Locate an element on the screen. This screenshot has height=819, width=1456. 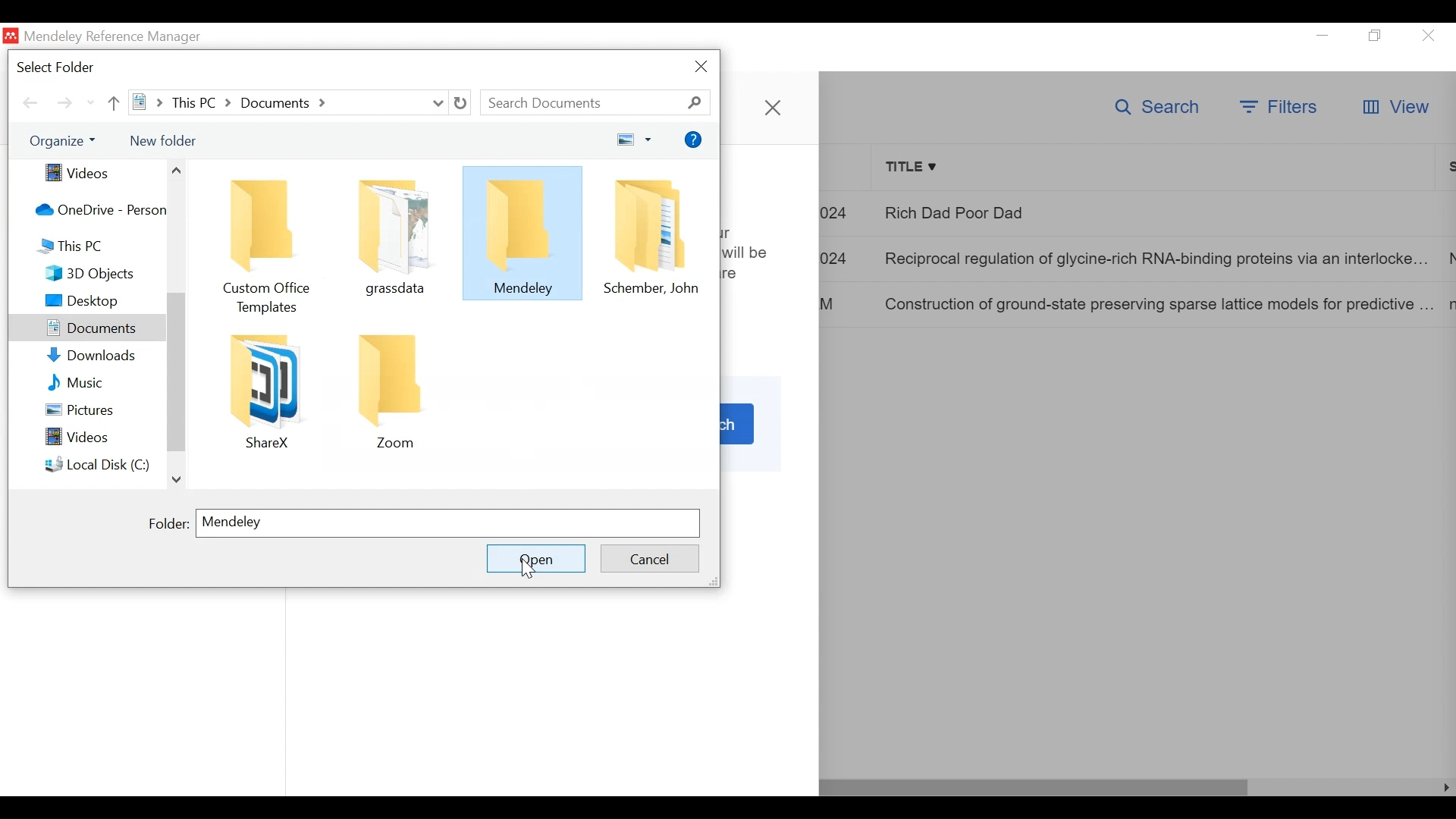
Organize is located at coordinates (63, 141).